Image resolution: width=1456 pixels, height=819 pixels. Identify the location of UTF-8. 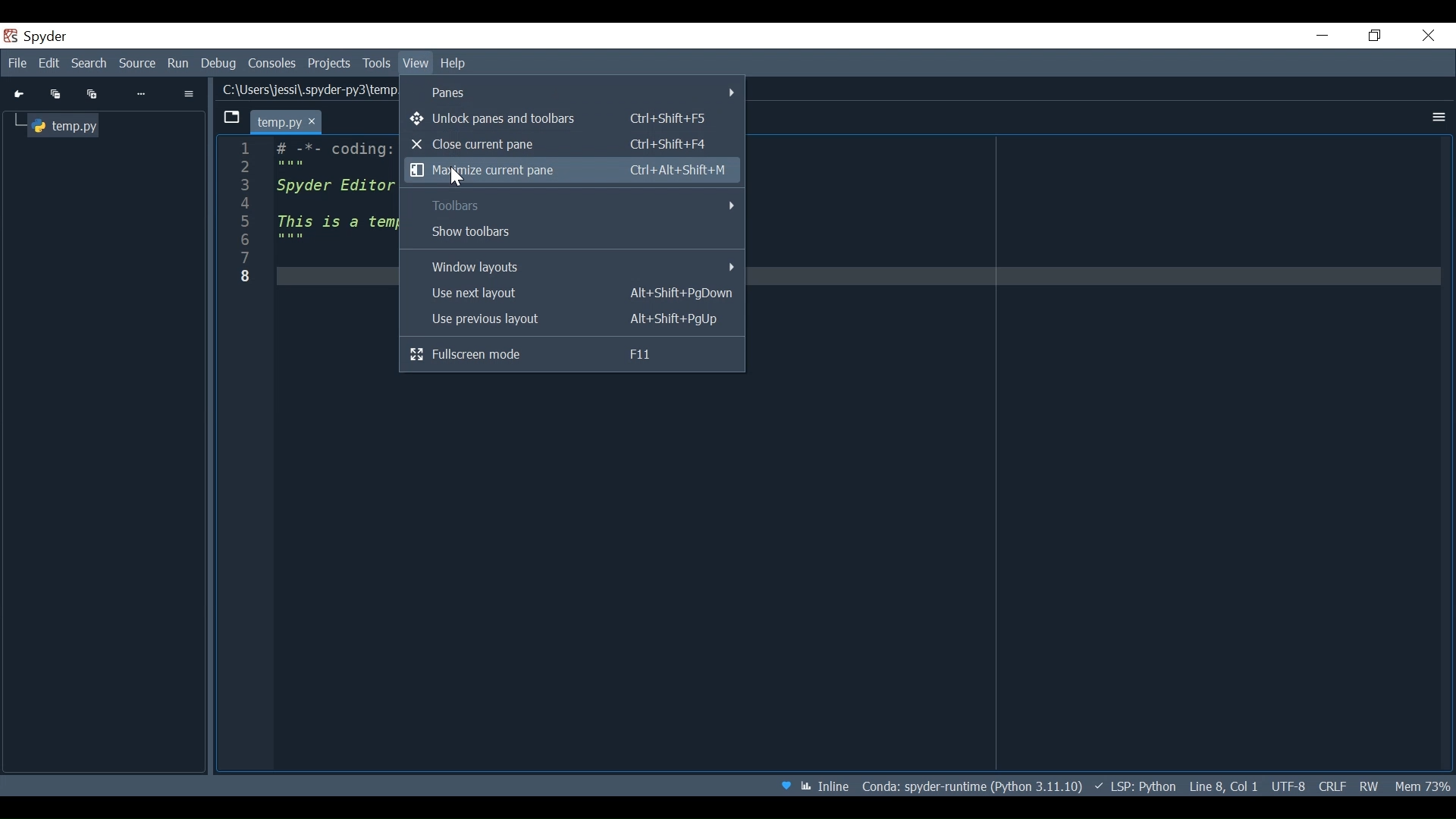
(1289, 786).